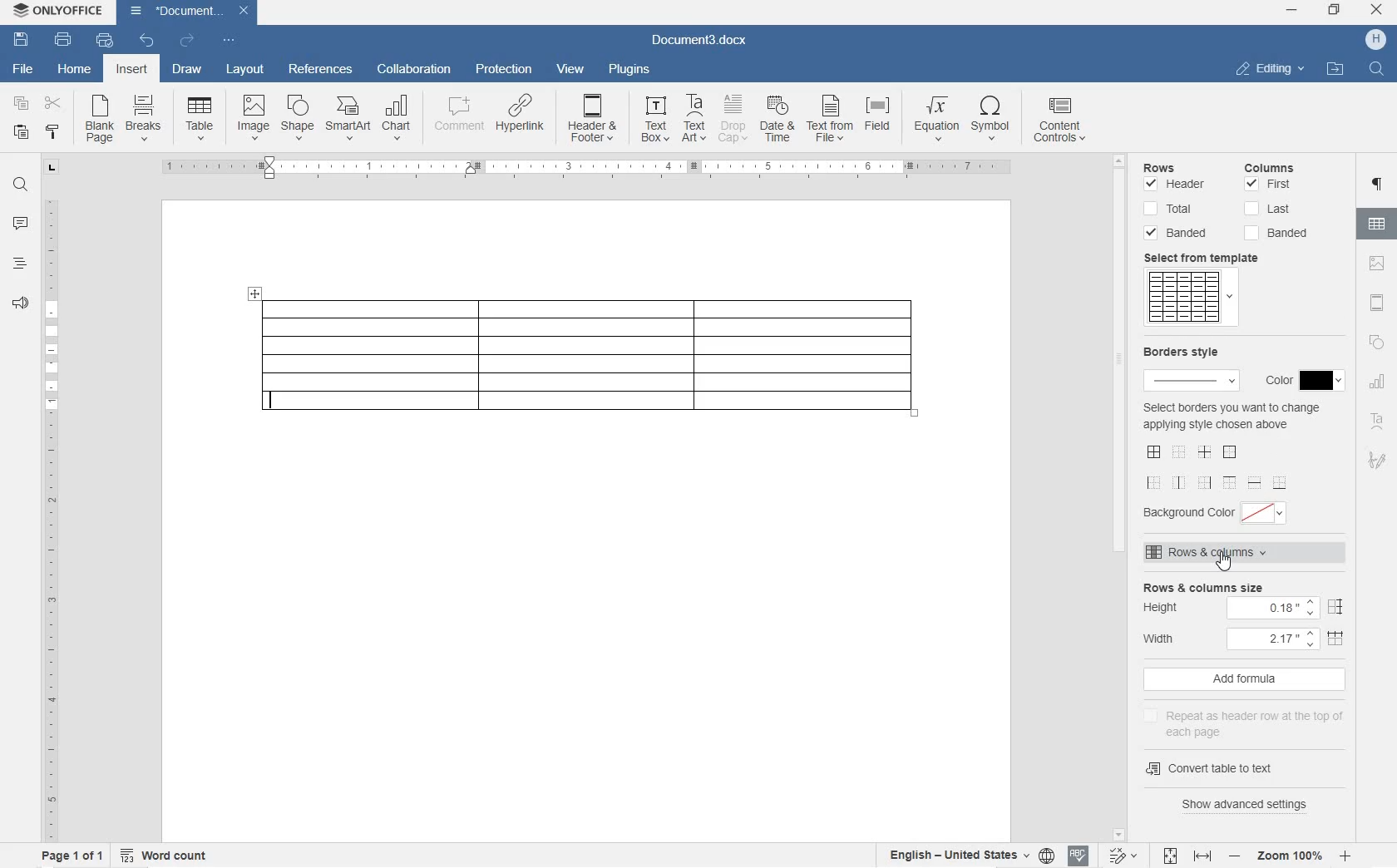 The height and width of the screenshot is (868, 1397). What do you see at coordinates (655, 121) in the screenshot?
I see `TEXT BOX` at bounding box center [655, 121].